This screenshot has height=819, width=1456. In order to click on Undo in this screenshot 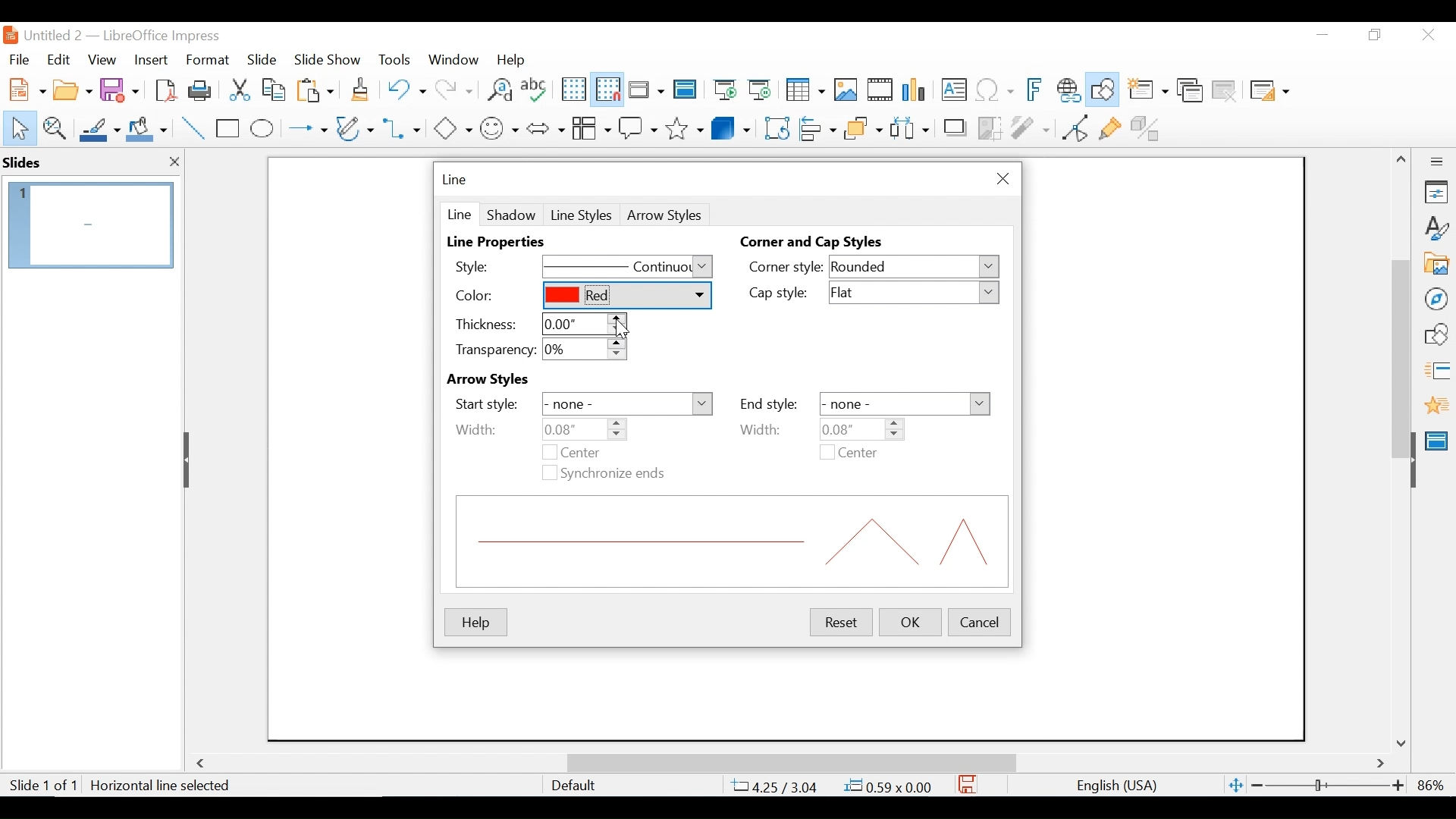, I will do `click(404, 88)`.